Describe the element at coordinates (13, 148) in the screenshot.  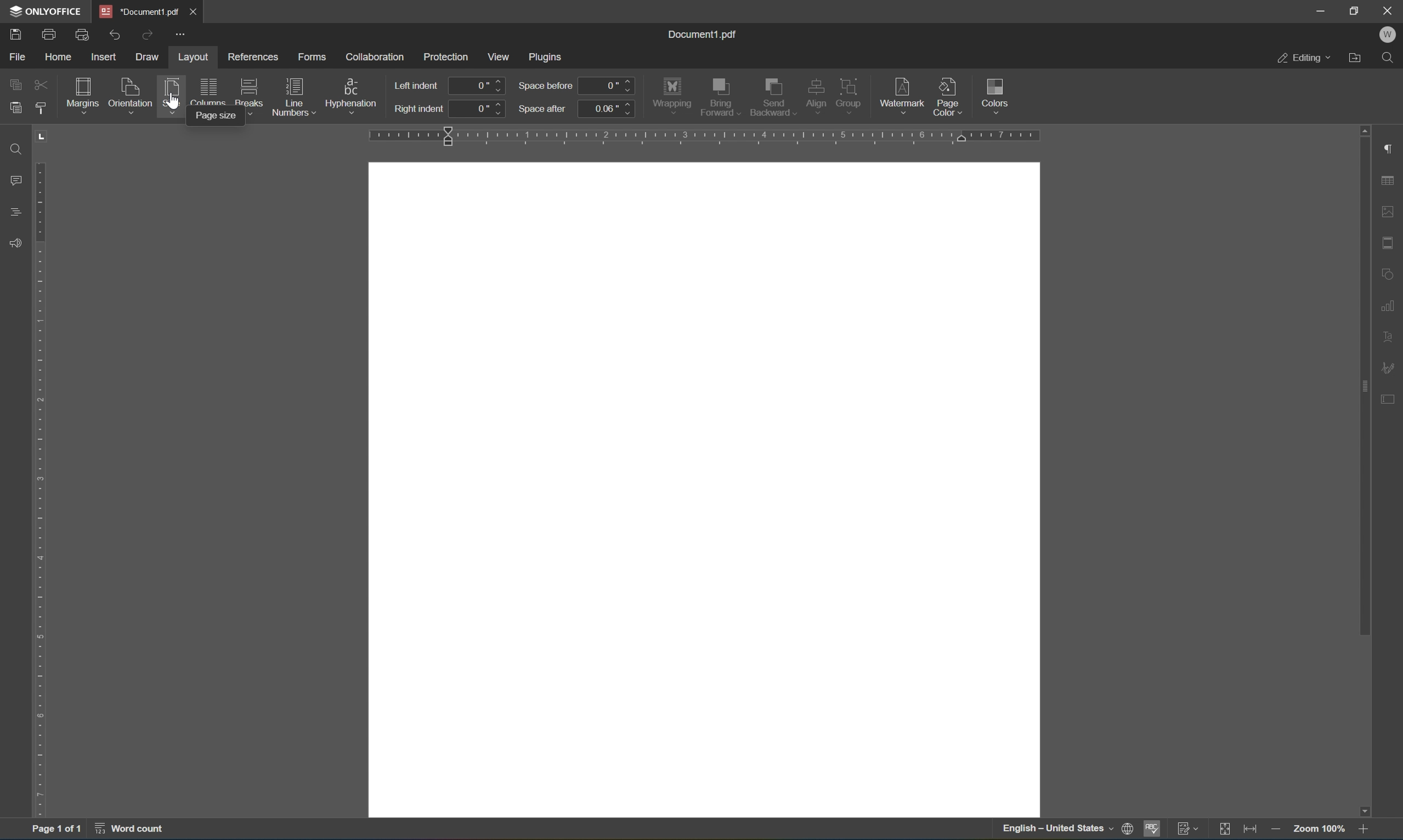
I see `Find` at that location.